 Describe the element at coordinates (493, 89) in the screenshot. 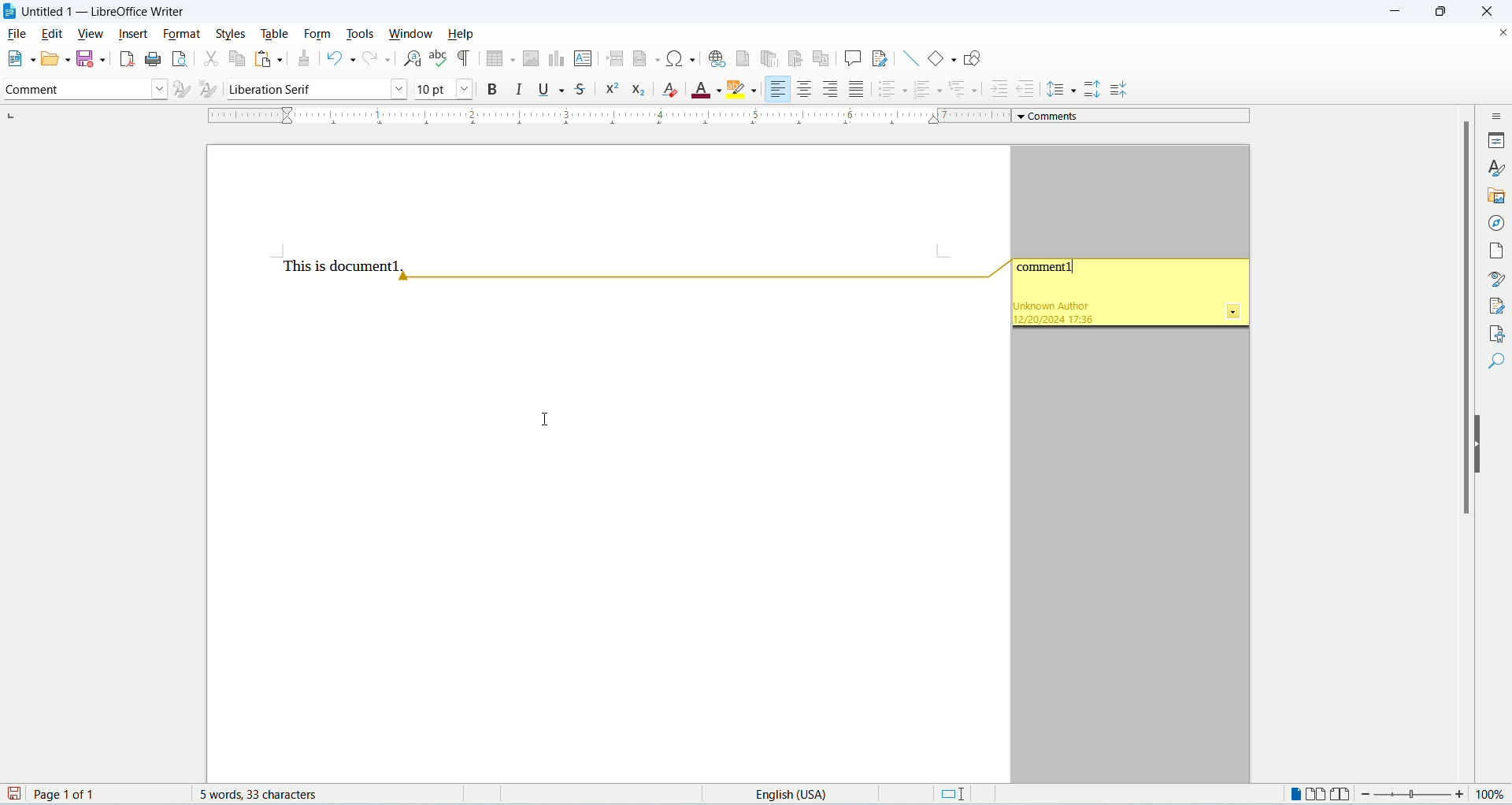

I see `bold` at that location.